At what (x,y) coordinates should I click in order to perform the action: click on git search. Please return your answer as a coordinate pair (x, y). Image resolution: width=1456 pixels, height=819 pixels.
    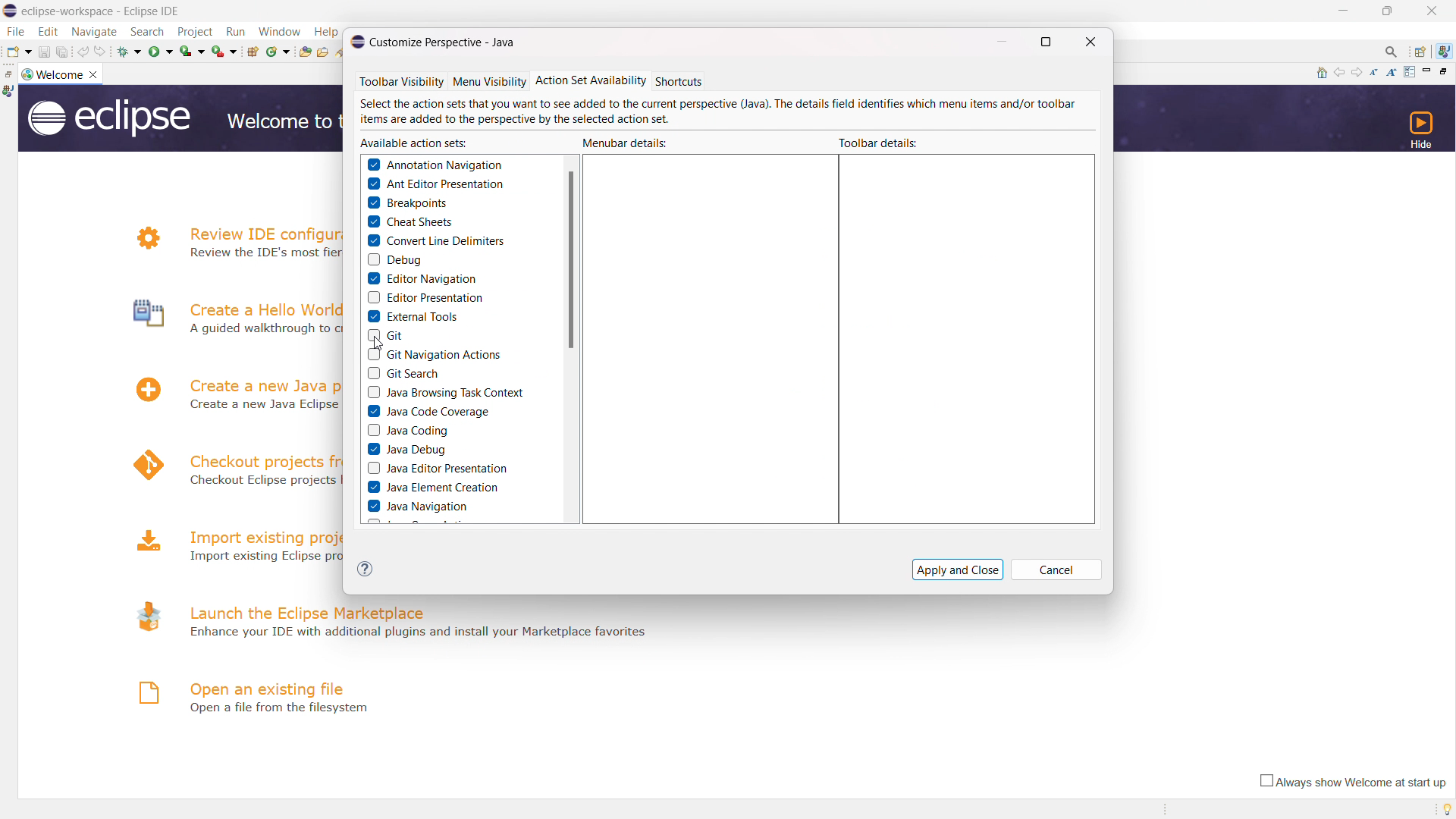
    Looking at the image, I should click on (401, 374).